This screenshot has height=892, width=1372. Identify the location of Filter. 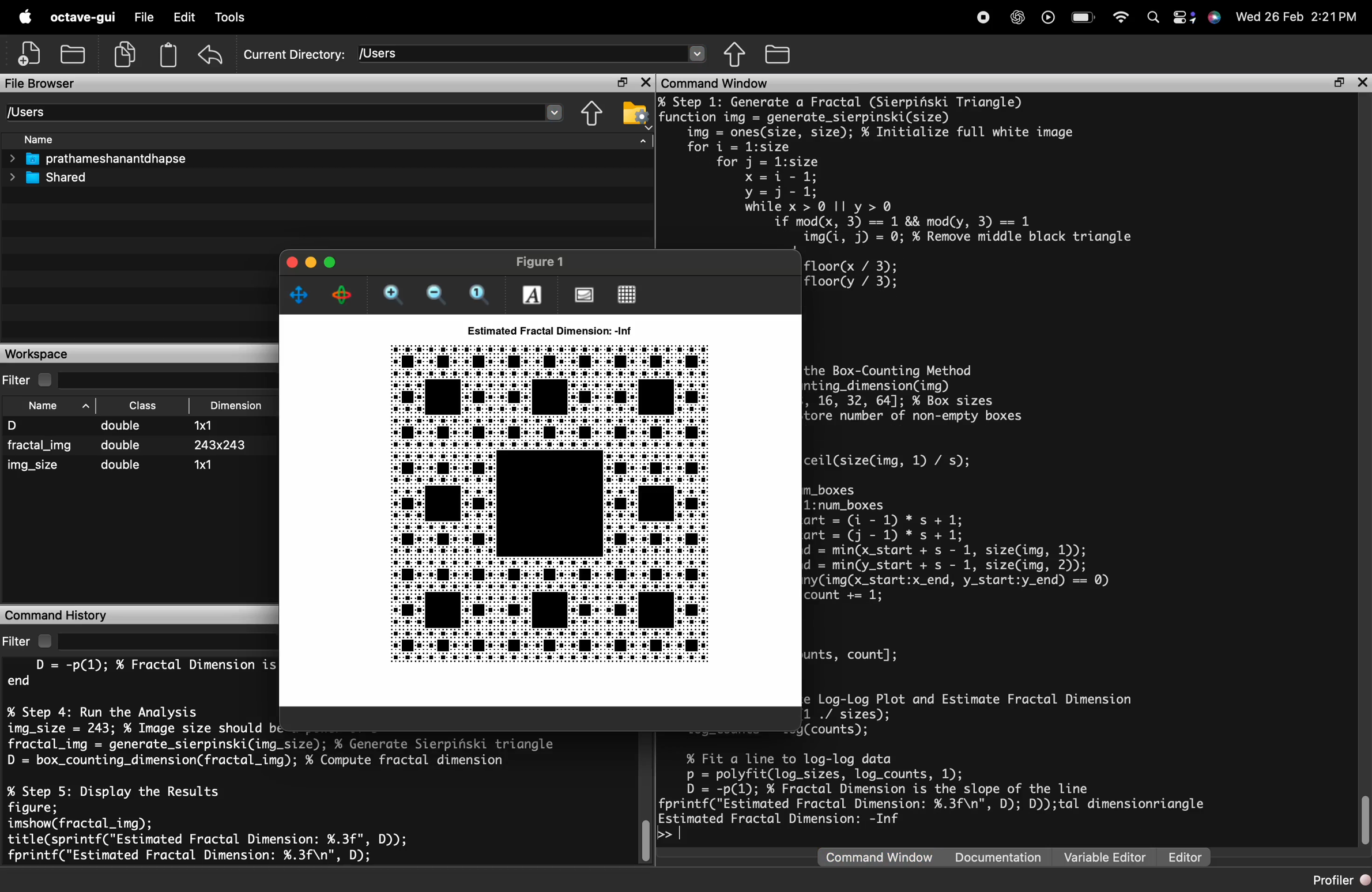
(26, 376).